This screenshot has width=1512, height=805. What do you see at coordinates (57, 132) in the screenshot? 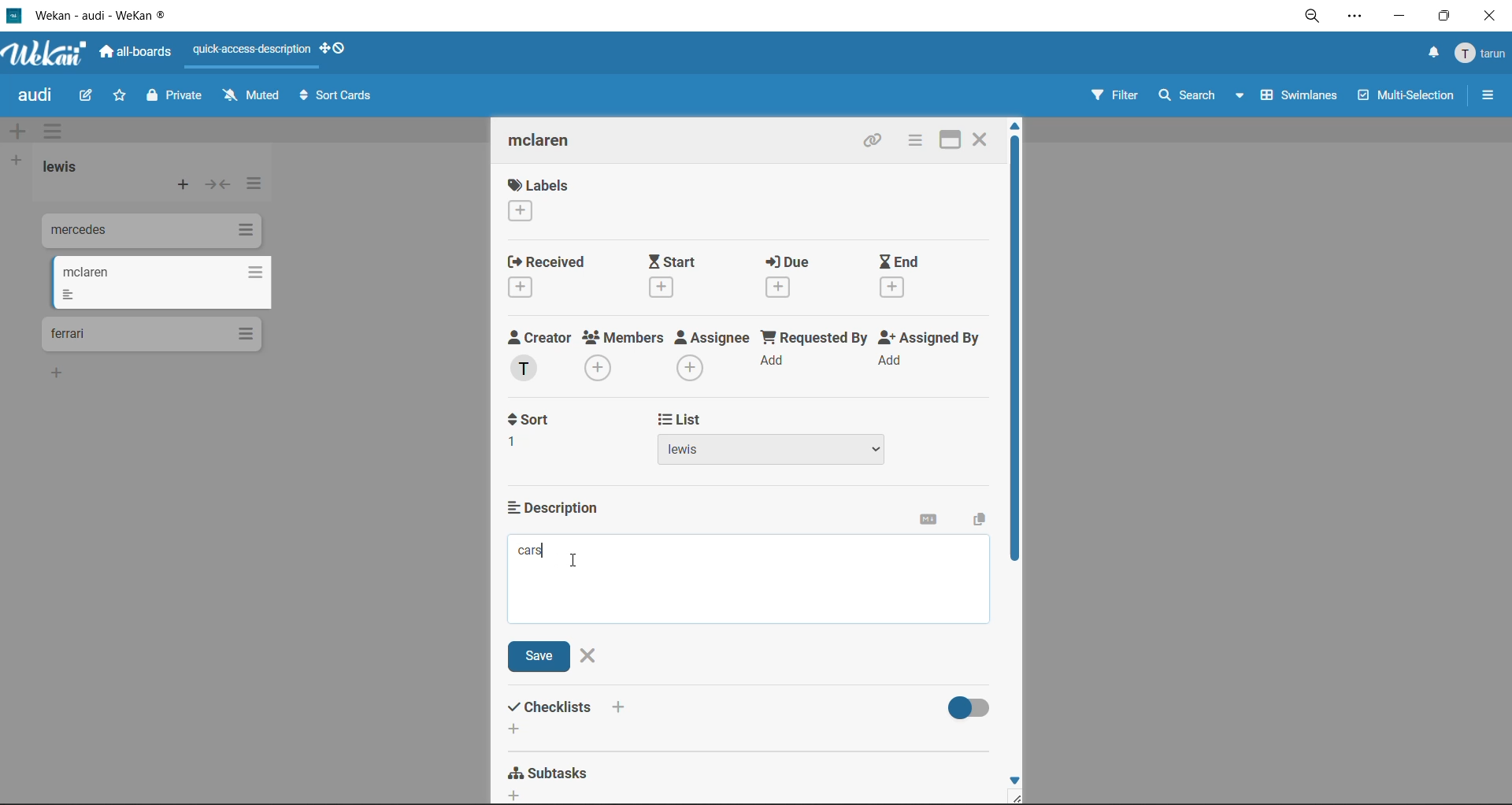
I see `swimlane actions` at bounding box center [57, 132].